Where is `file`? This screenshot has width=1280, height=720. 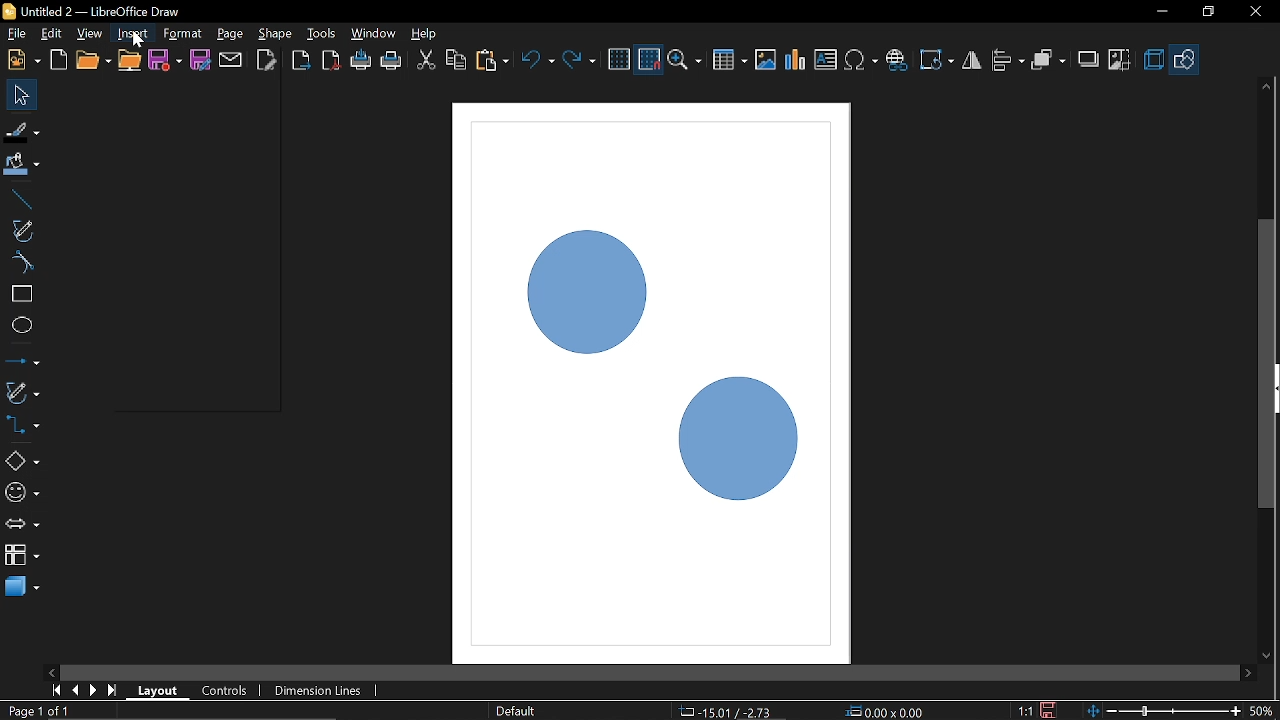
file is located at coordinates (17, 35).